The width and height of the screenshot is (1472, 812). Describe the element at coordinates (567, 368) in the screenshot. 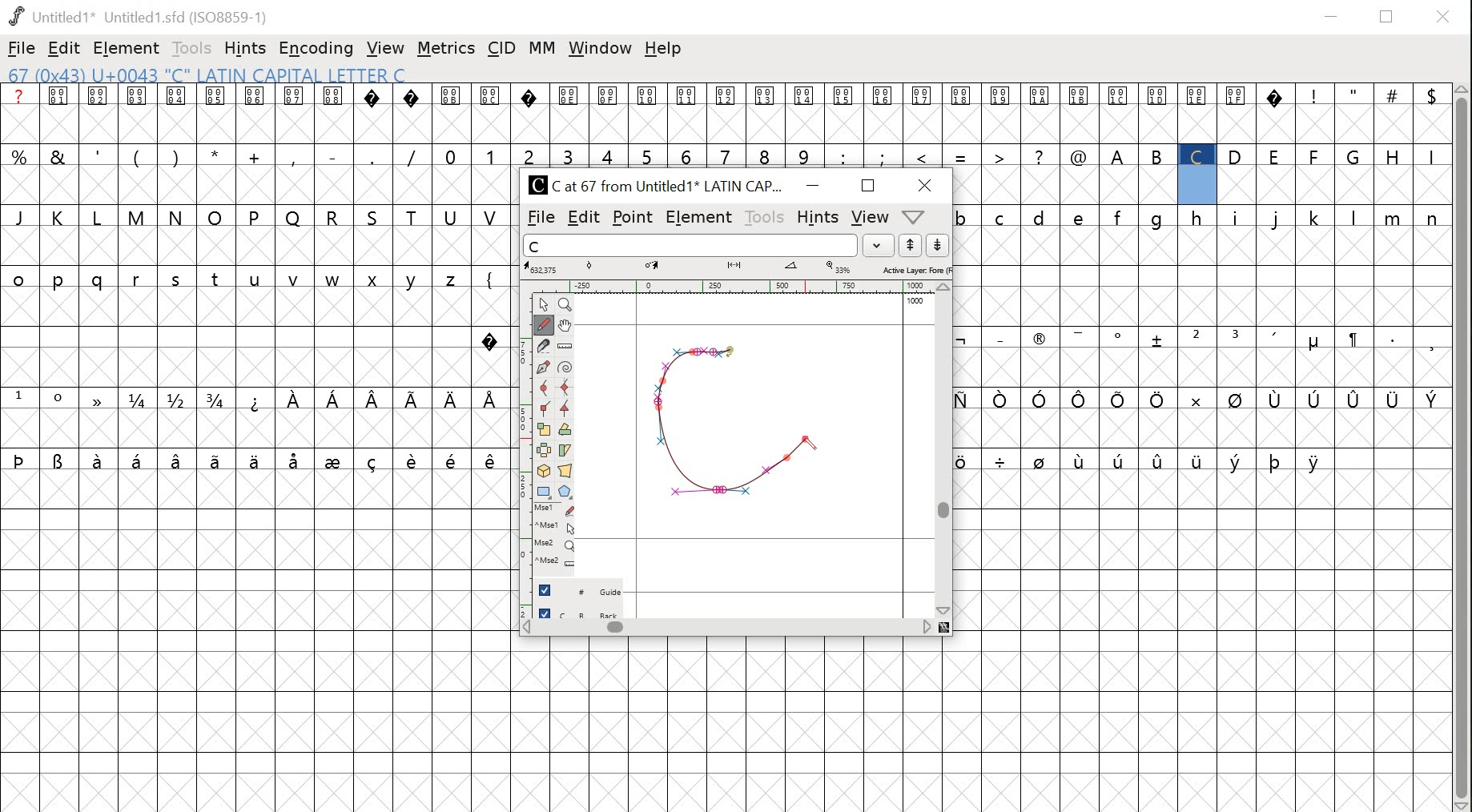

I see `spiro` at that location.